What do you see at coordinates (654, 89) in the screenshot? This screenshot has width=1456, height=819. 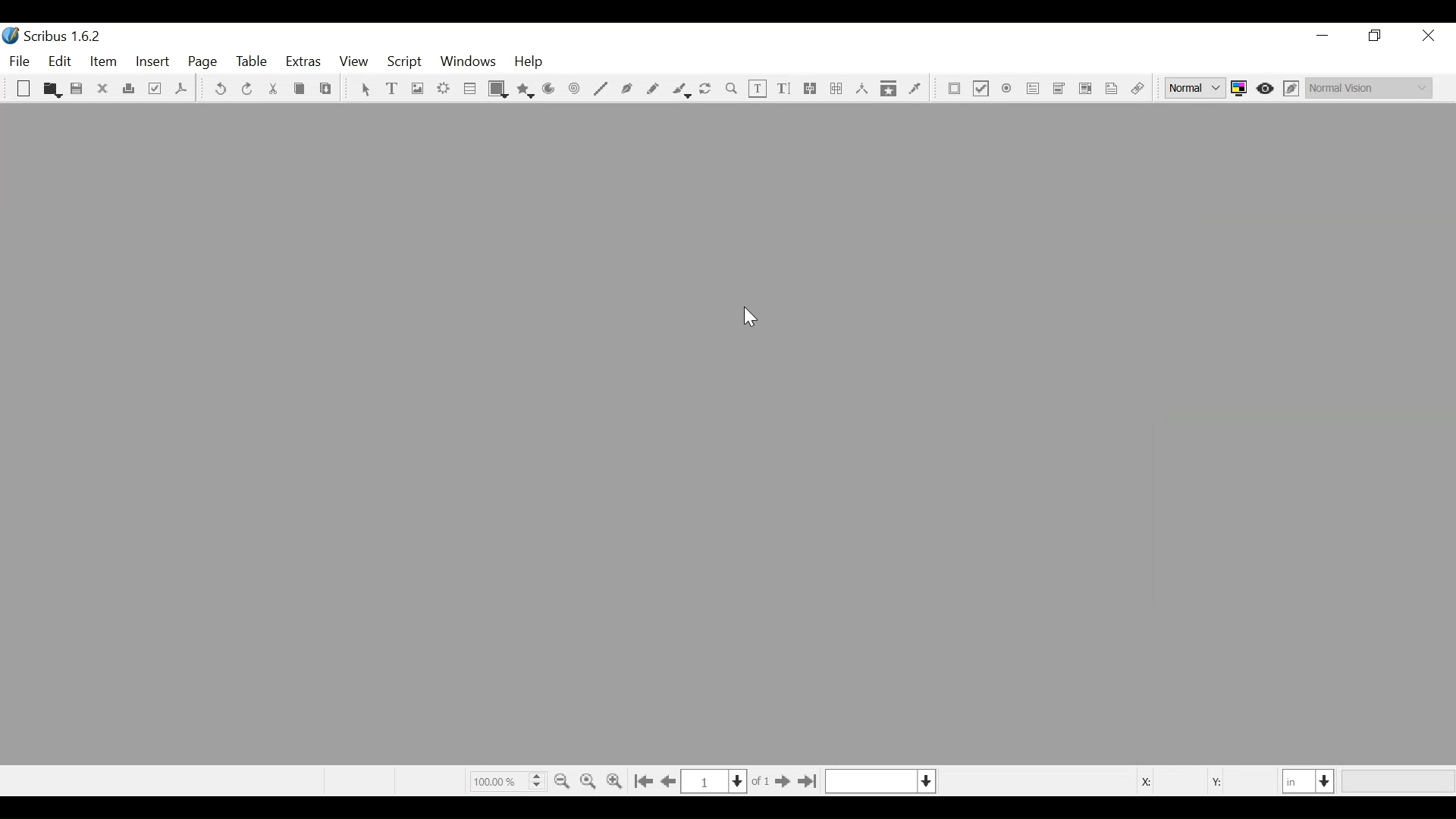 I see `Freehand line` at bounding box center [654, 89].